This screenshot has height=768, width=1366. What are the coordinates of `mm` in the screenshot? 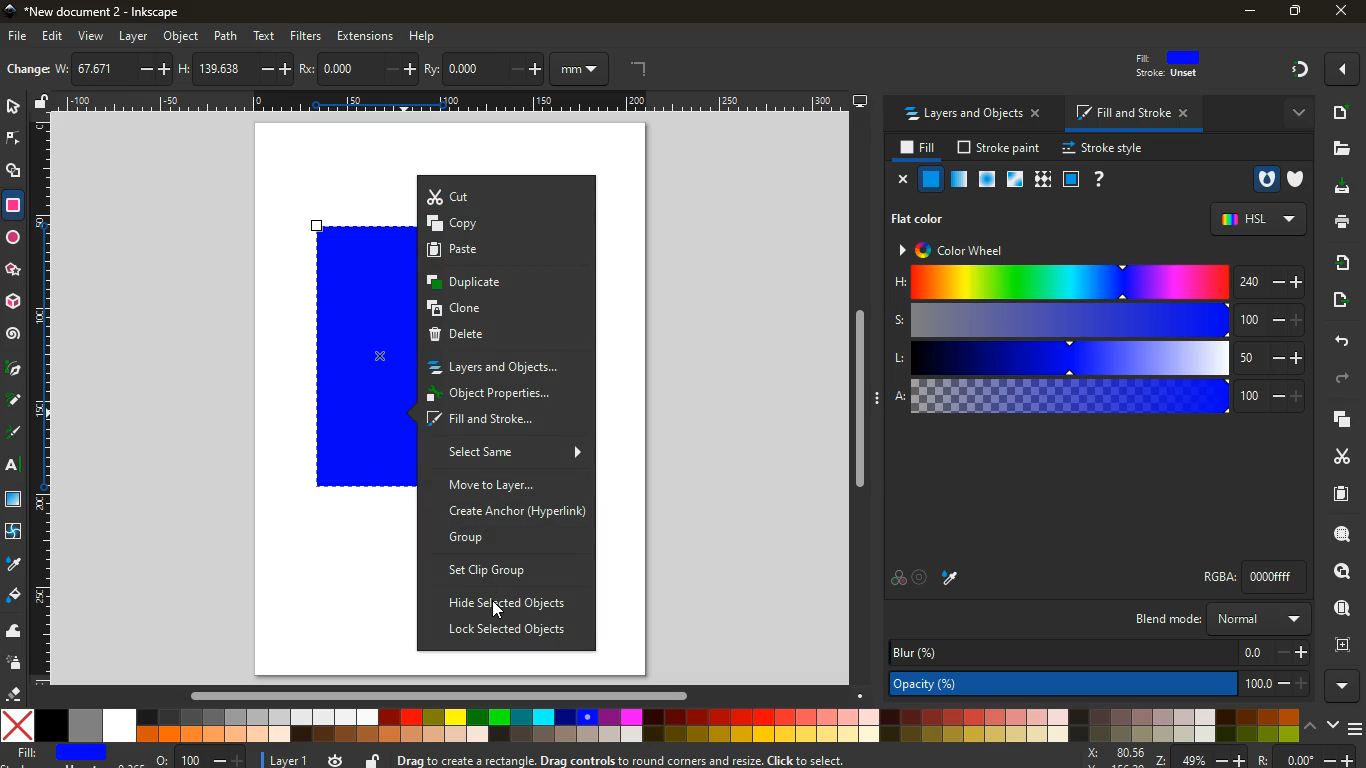 It's located at (581, 68).